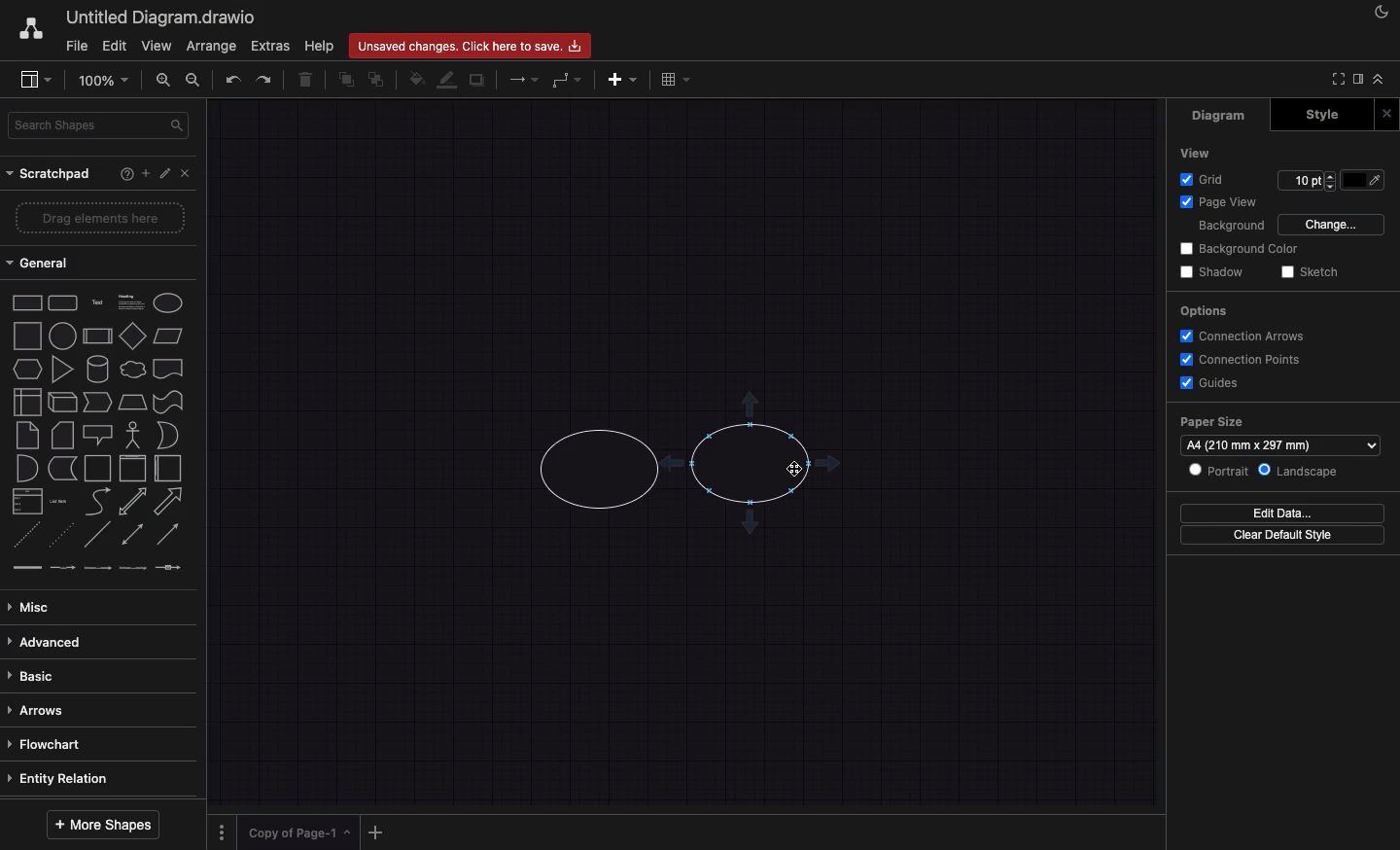 This screenshot has width=1400, height=850. What do you see at coordinates (27, 502) in the screenshot?
I see `list` at bounding box center [27, 502].